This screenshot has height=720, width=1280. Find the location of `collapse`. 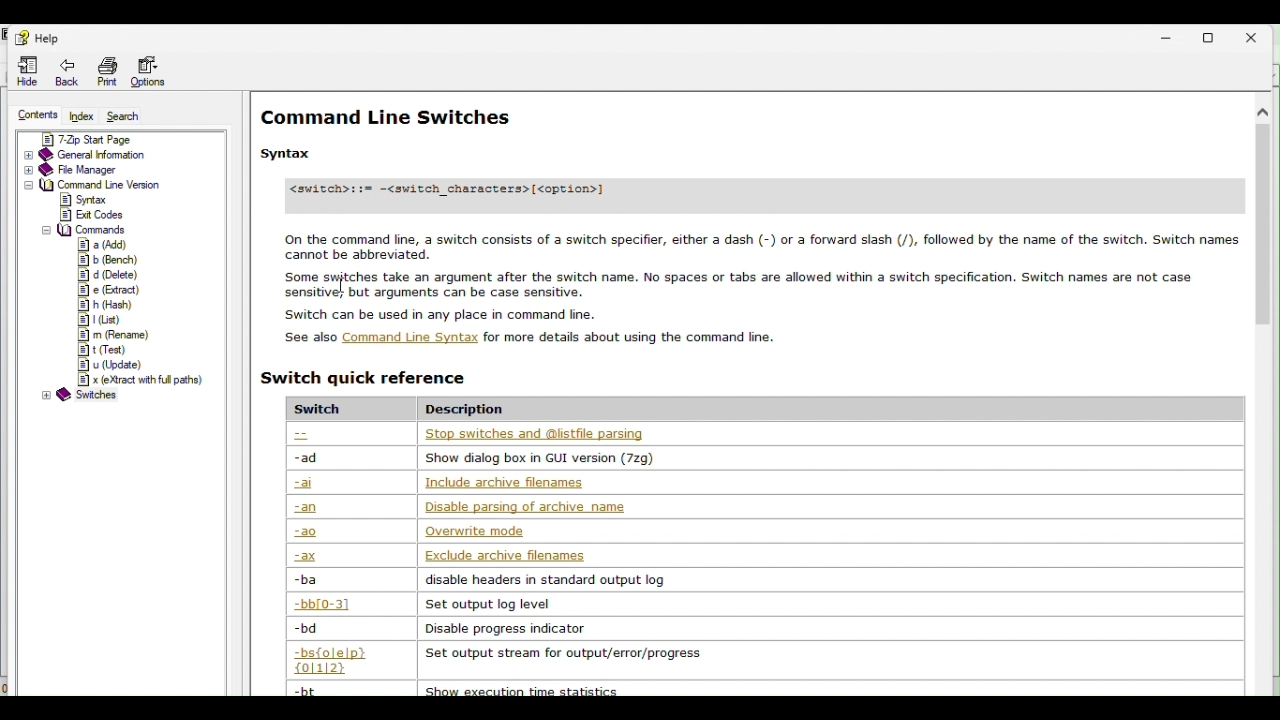

collapse is located at coordinates (43, 232).